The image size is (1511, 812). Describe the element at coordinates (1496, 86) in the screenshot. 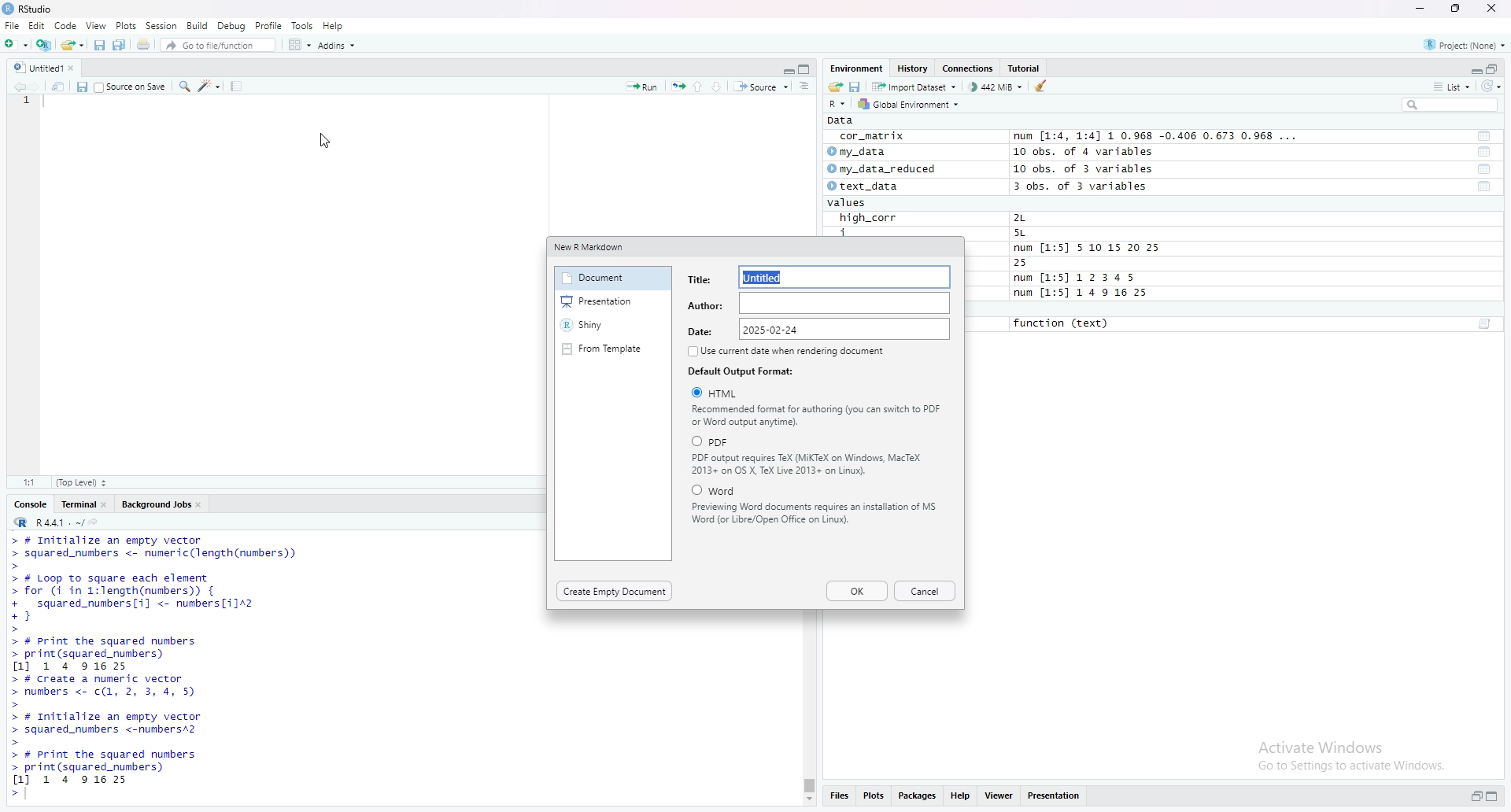

I see `Refresh the list of object in the environment` at that location.